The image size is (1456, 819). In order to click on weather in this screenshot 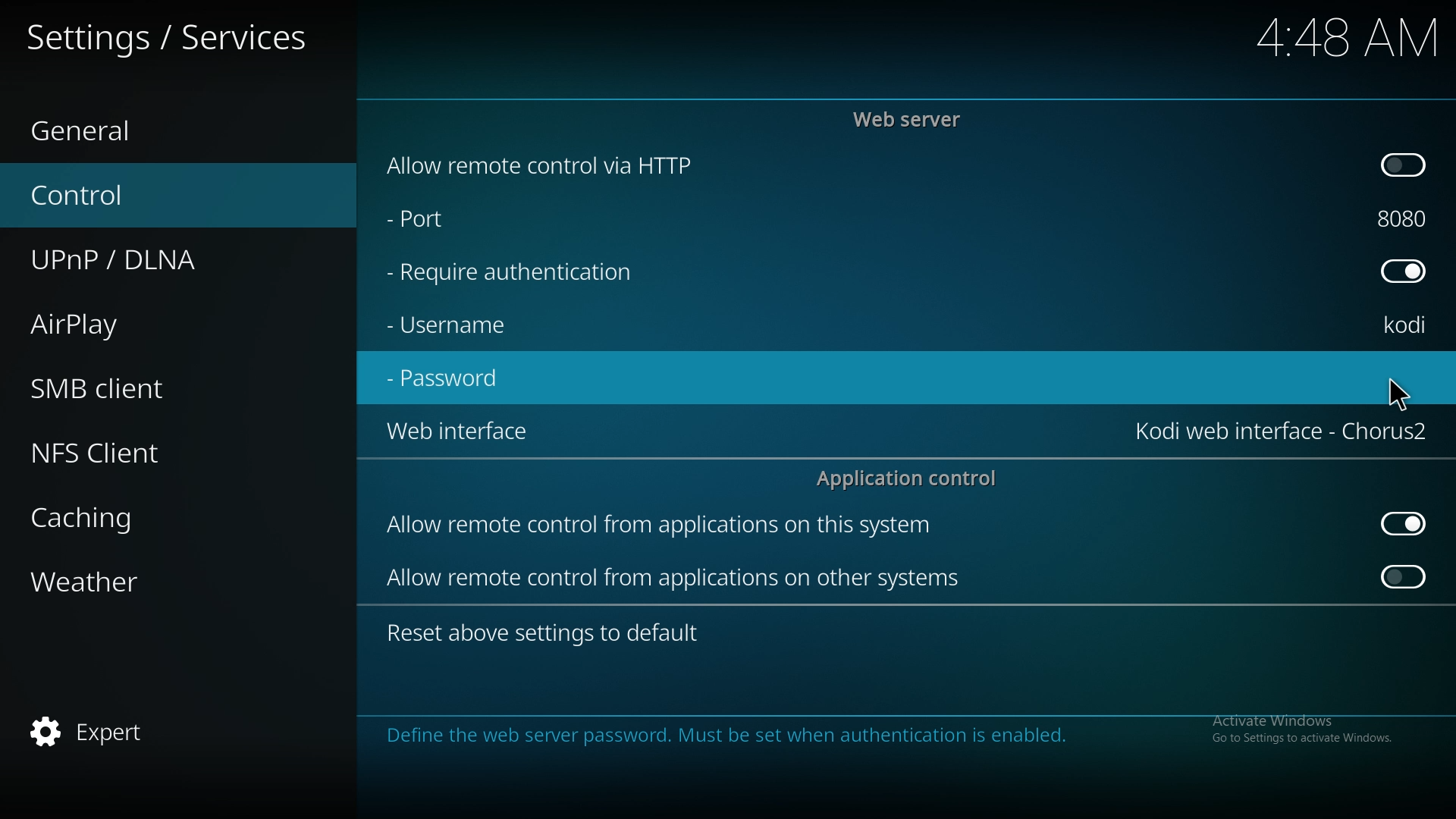, I will do `click(117, 582)`.